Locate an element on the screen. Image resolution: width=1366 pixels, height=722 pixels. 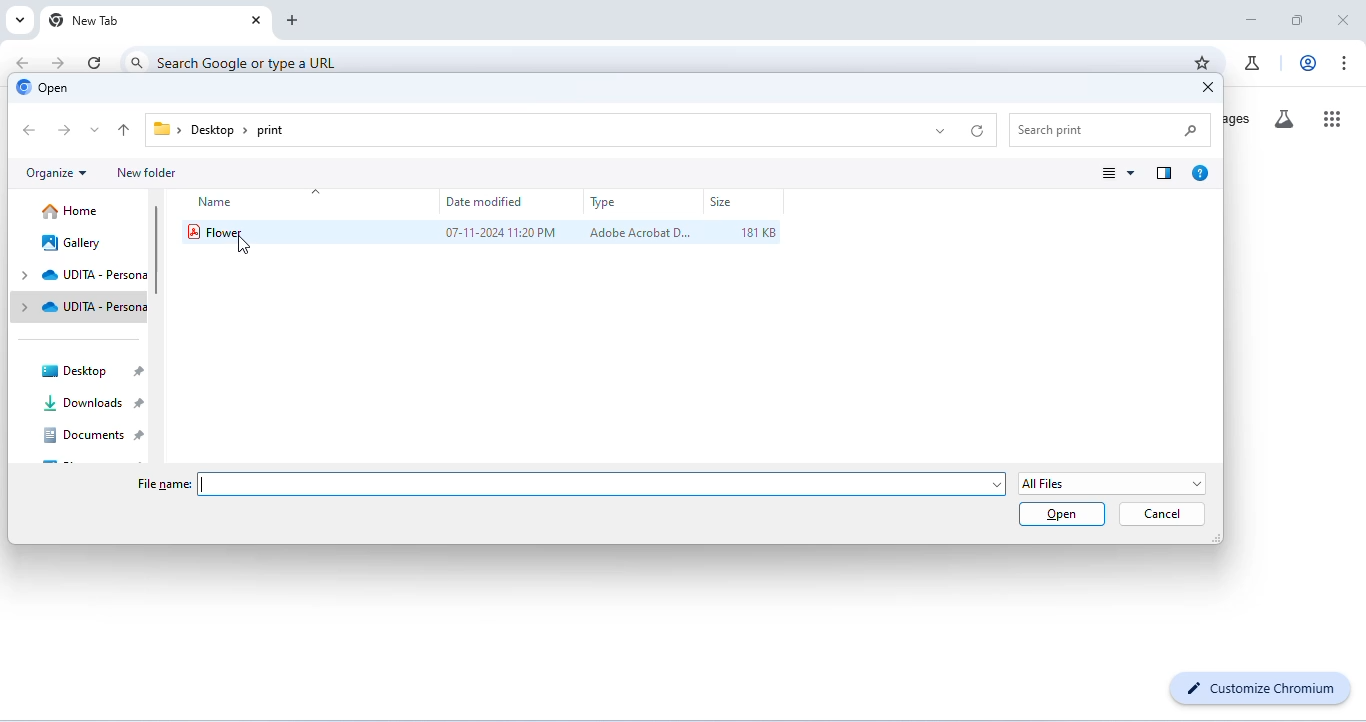
next folder is located at coordinates (66, 130).